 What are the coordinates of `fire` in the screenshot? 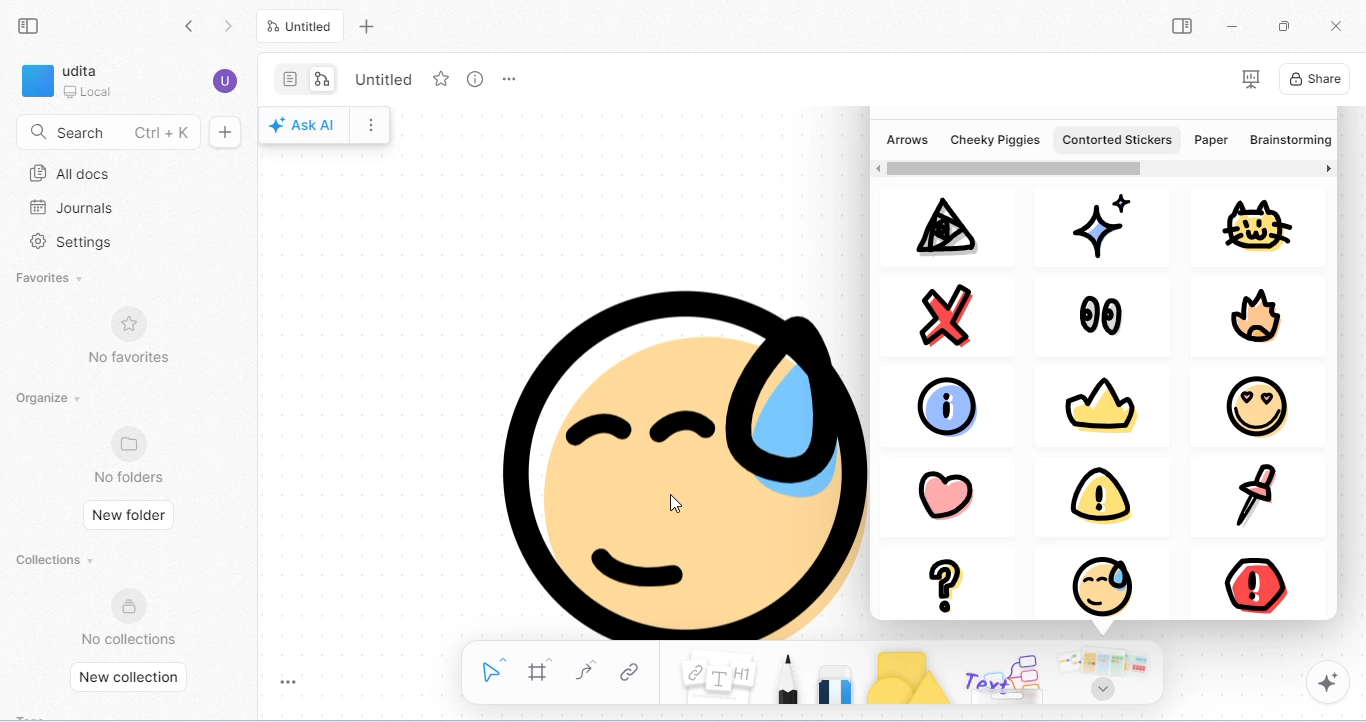 It's located at (1261, 318).